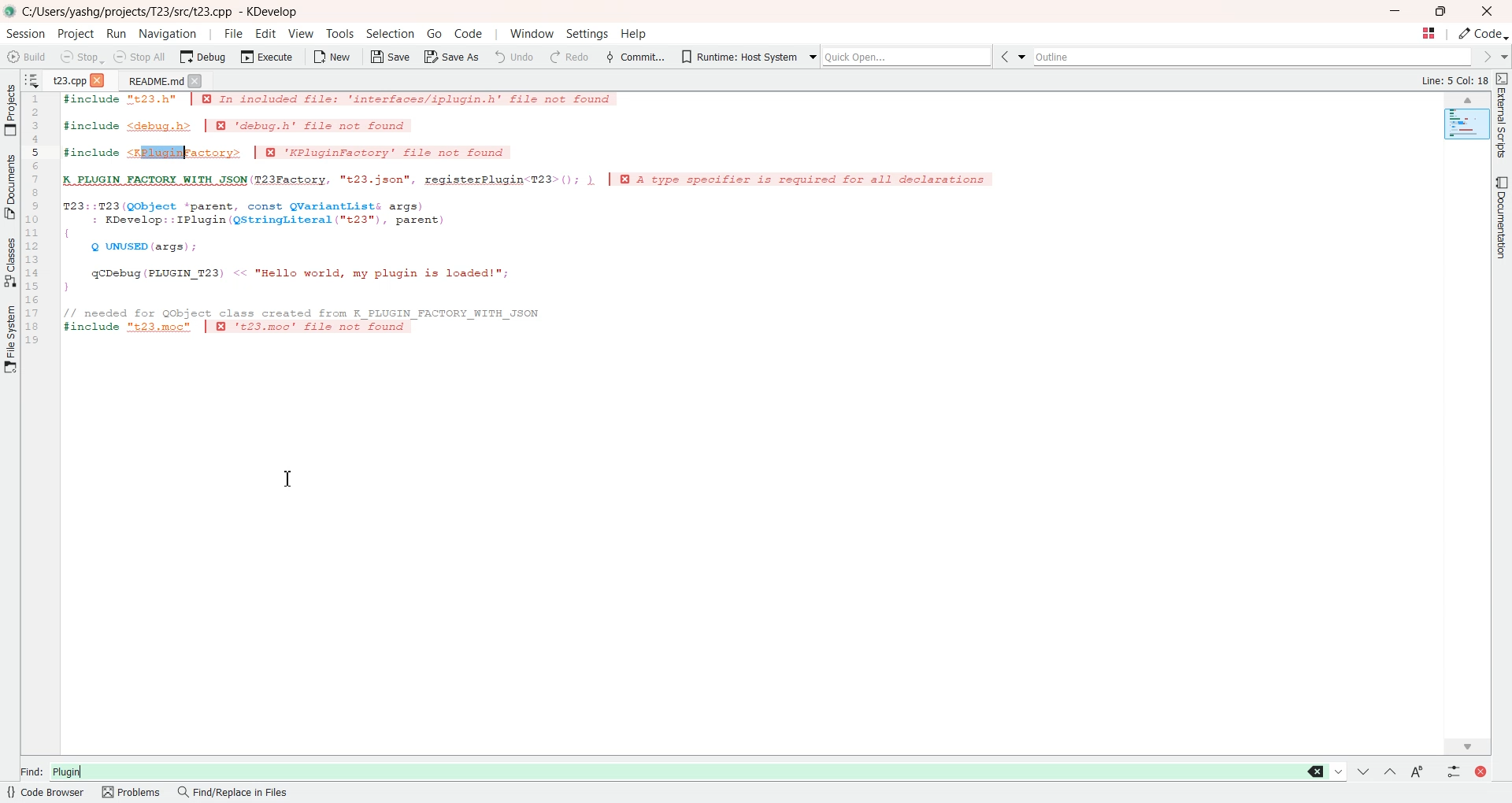 The height and width of the screenshot is (803, 1512). Describe the element at coordinates (736, 55) in the screenshot. I see `Runtime : Host System` at that location.